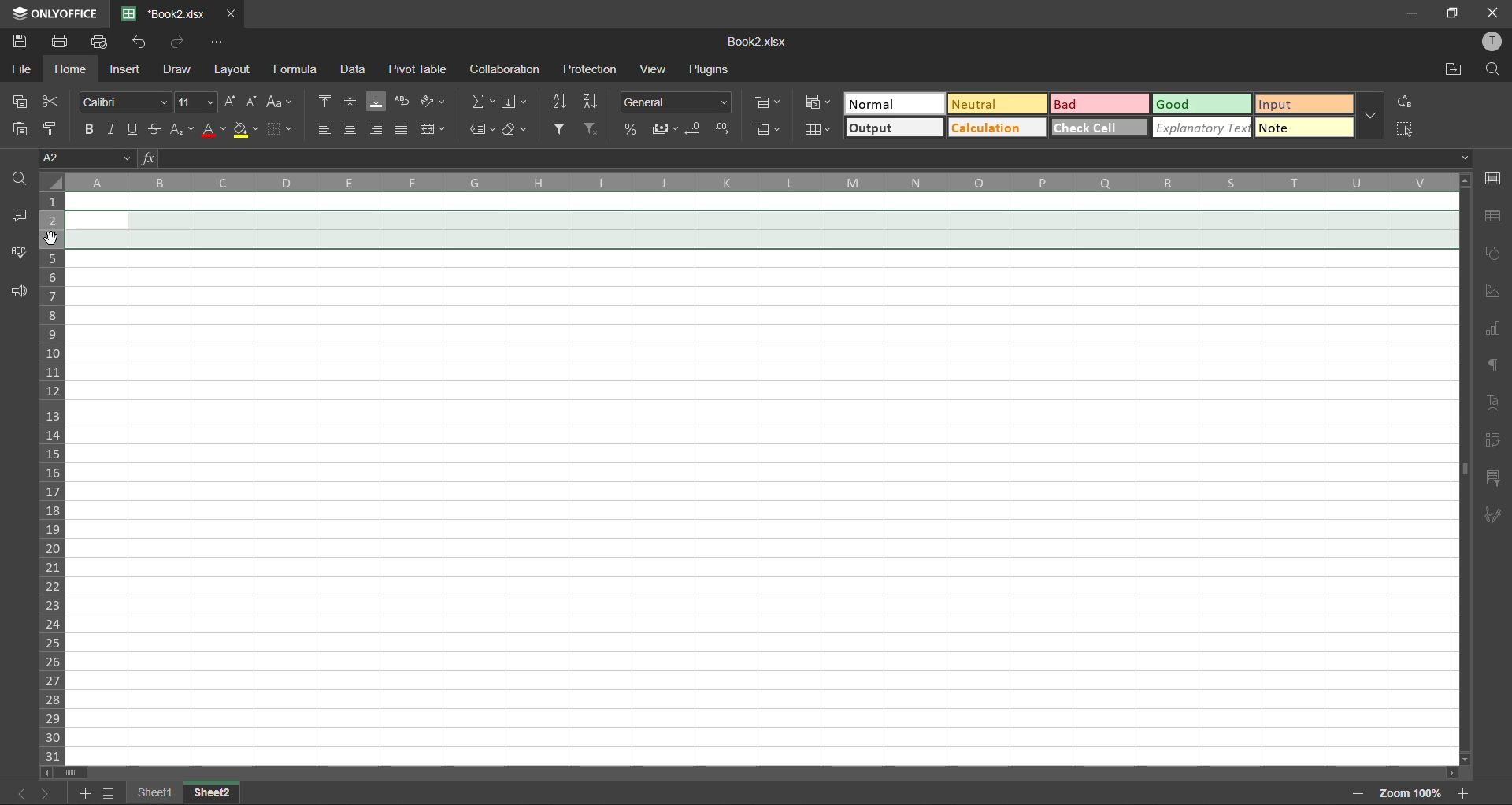 This screenshot has height=805, width=1512. What do you see at coordinates (1493, 514) in the screenshot?
I see `signature` at bounding box center [1493, 514].